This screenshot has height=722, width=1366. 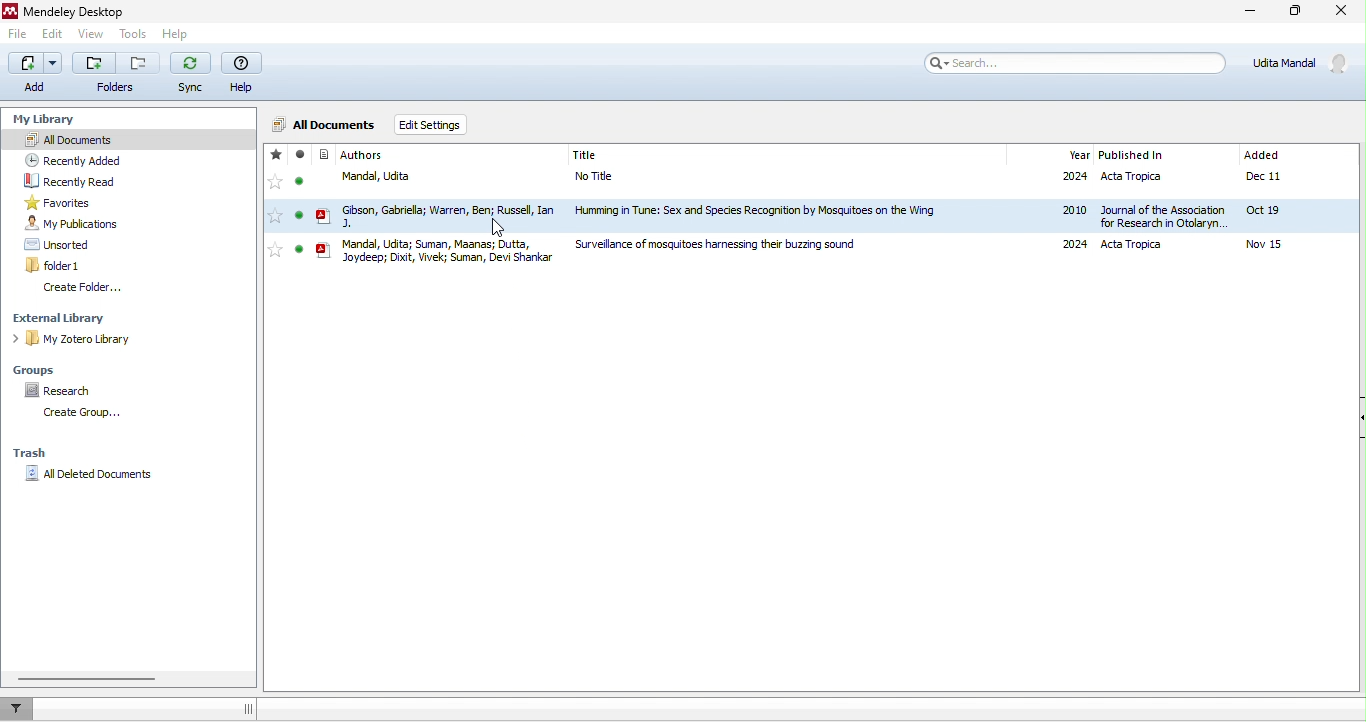 What do you see at coordinates (108, 141) in the screenshot?
I see `all documents` at bounding box center [108, 141].